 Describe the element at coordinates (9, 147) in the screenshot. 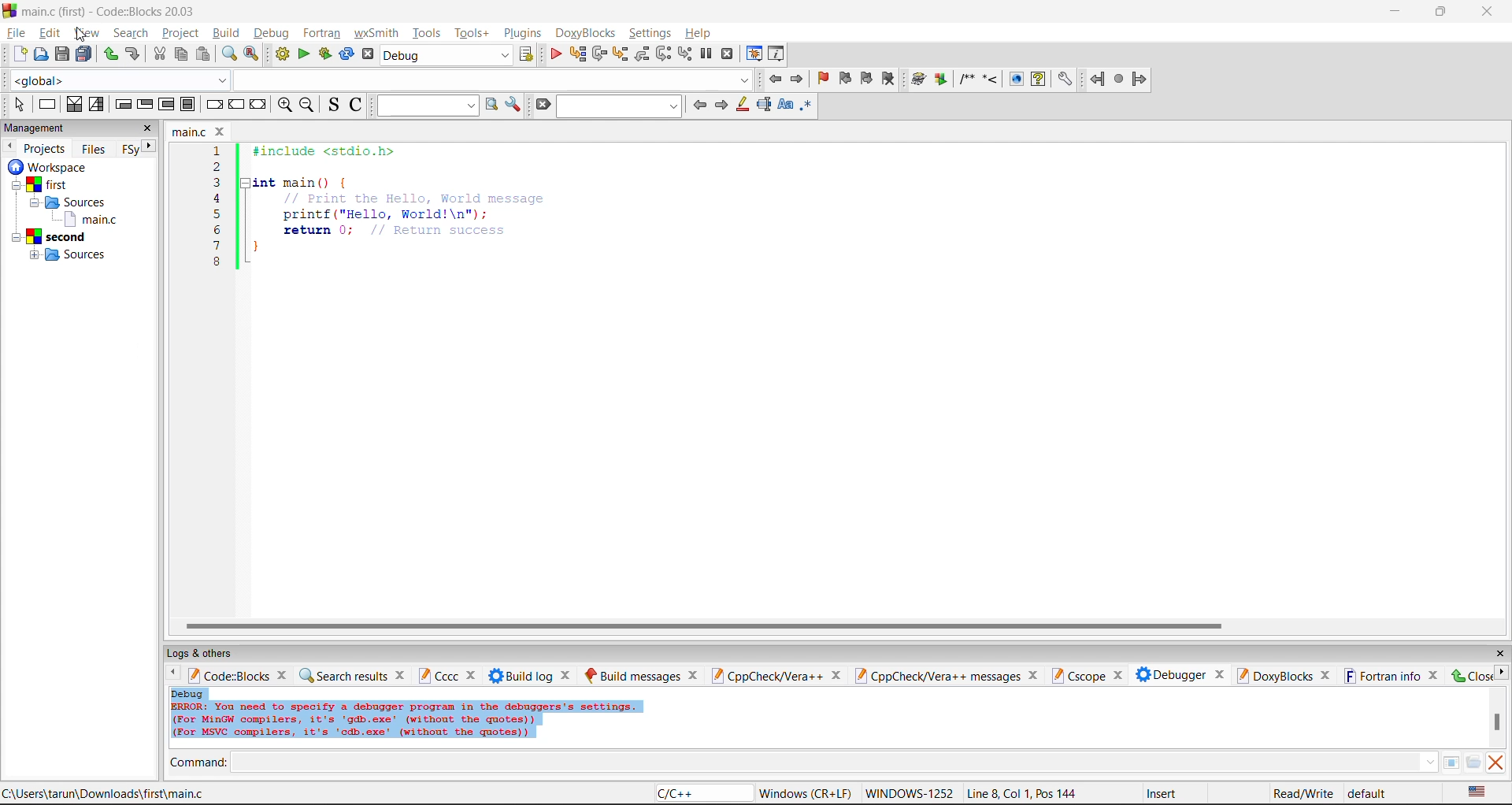

I see `previous` at that location.